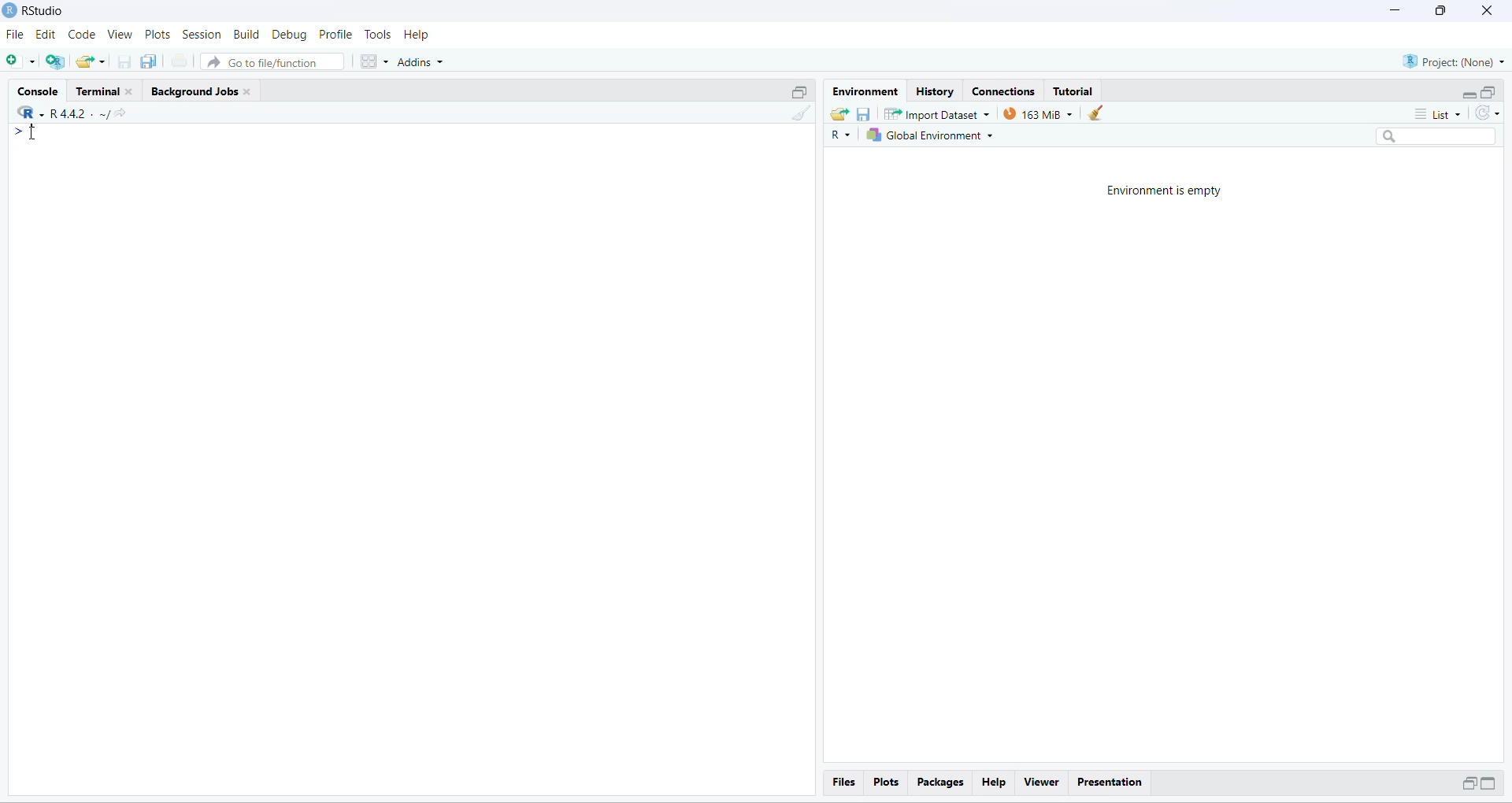 The height and width of the screenshot is (803, 1512). What do you see at coordinates (1443, 113) in the screenshot?
I see `list` at bounding box center [1443, 113].